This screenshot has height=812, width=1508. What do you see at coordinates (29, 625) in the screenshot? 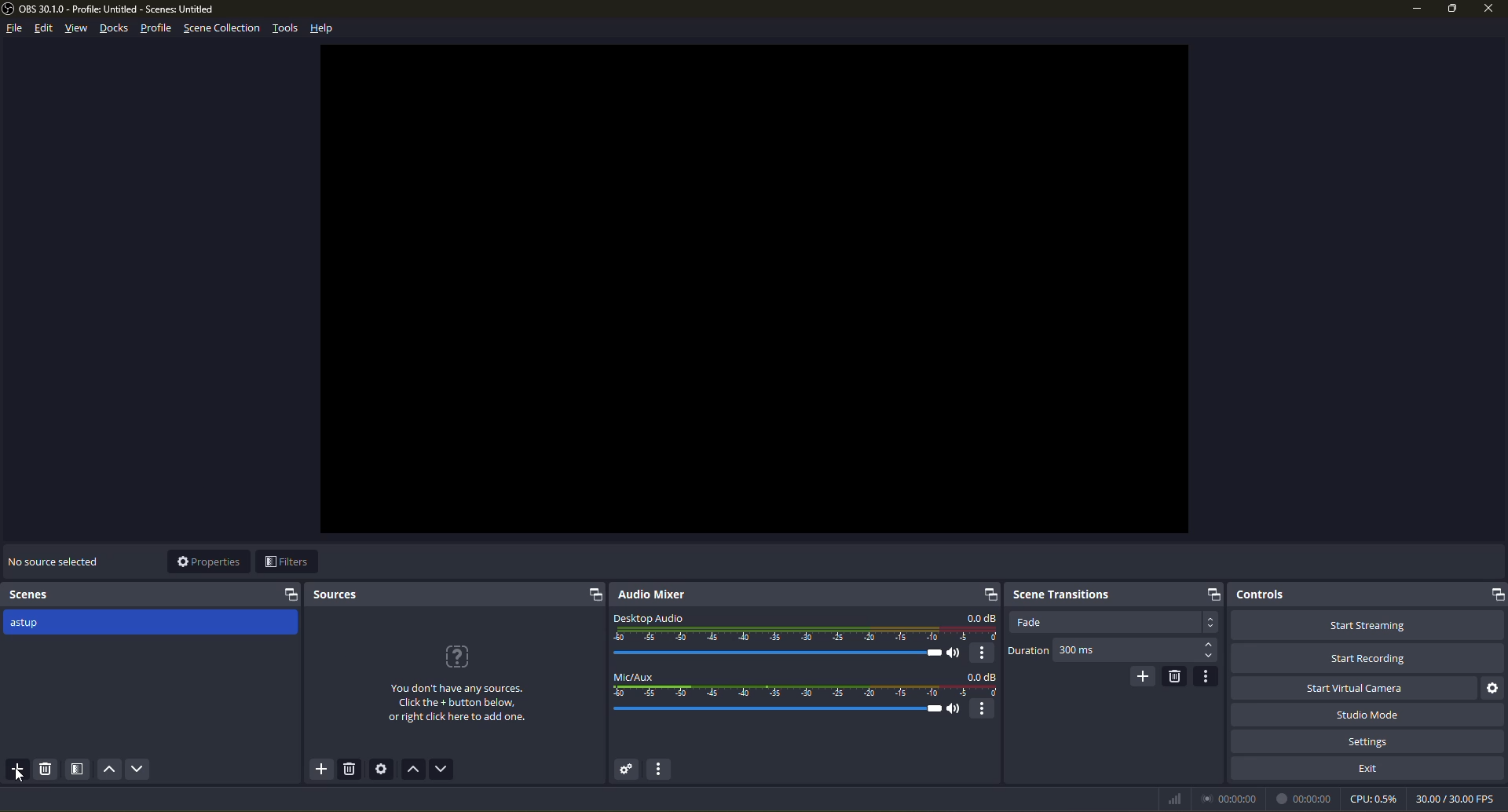
I see `astup` at bounding box center [29, 625].